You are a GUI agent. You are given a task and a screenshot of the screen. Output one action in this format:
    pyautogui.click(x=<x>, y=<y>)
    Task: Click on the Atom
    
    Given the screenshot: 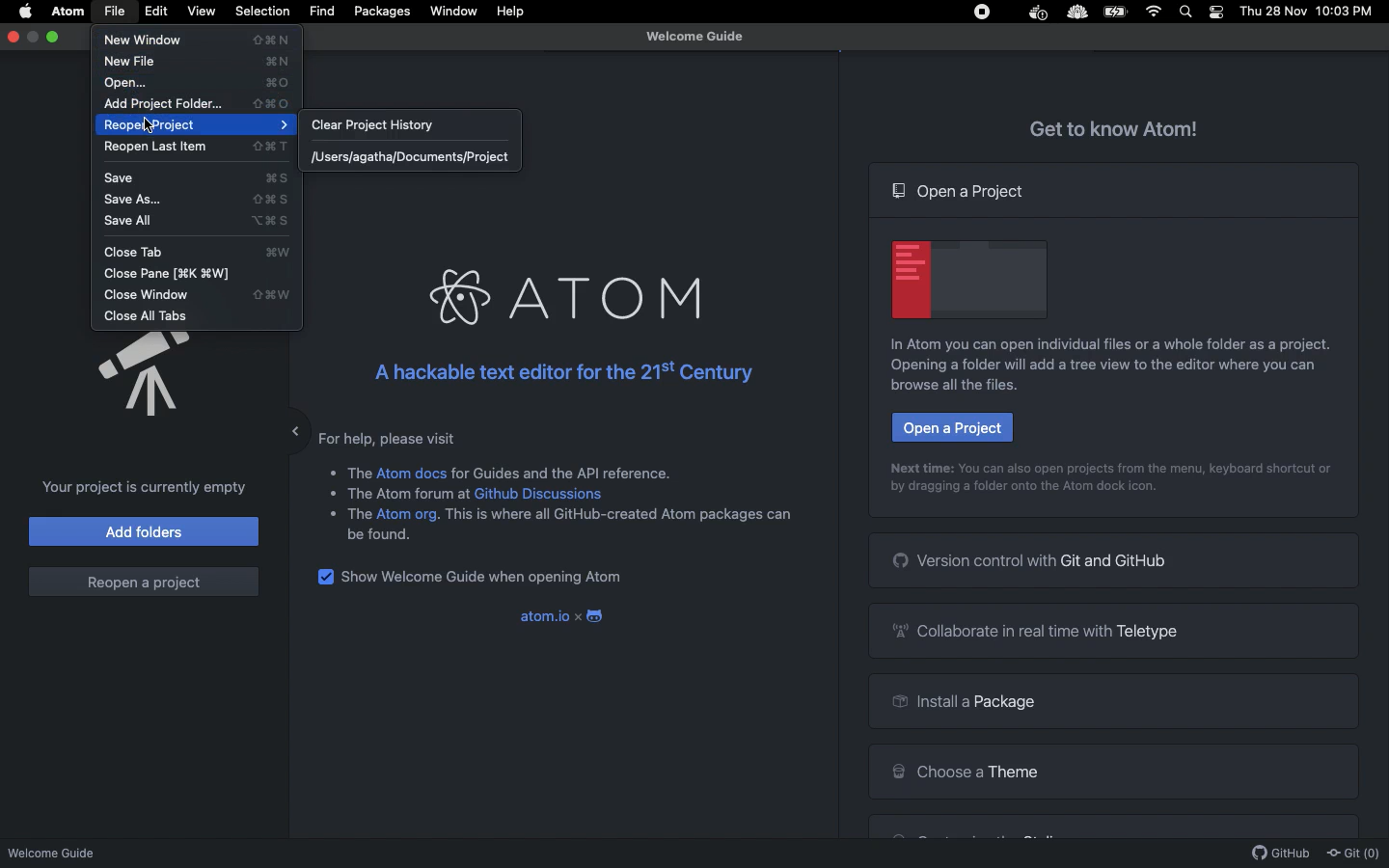 What is the action you would take?
    pyautogui.click(x=69, y=12)
    